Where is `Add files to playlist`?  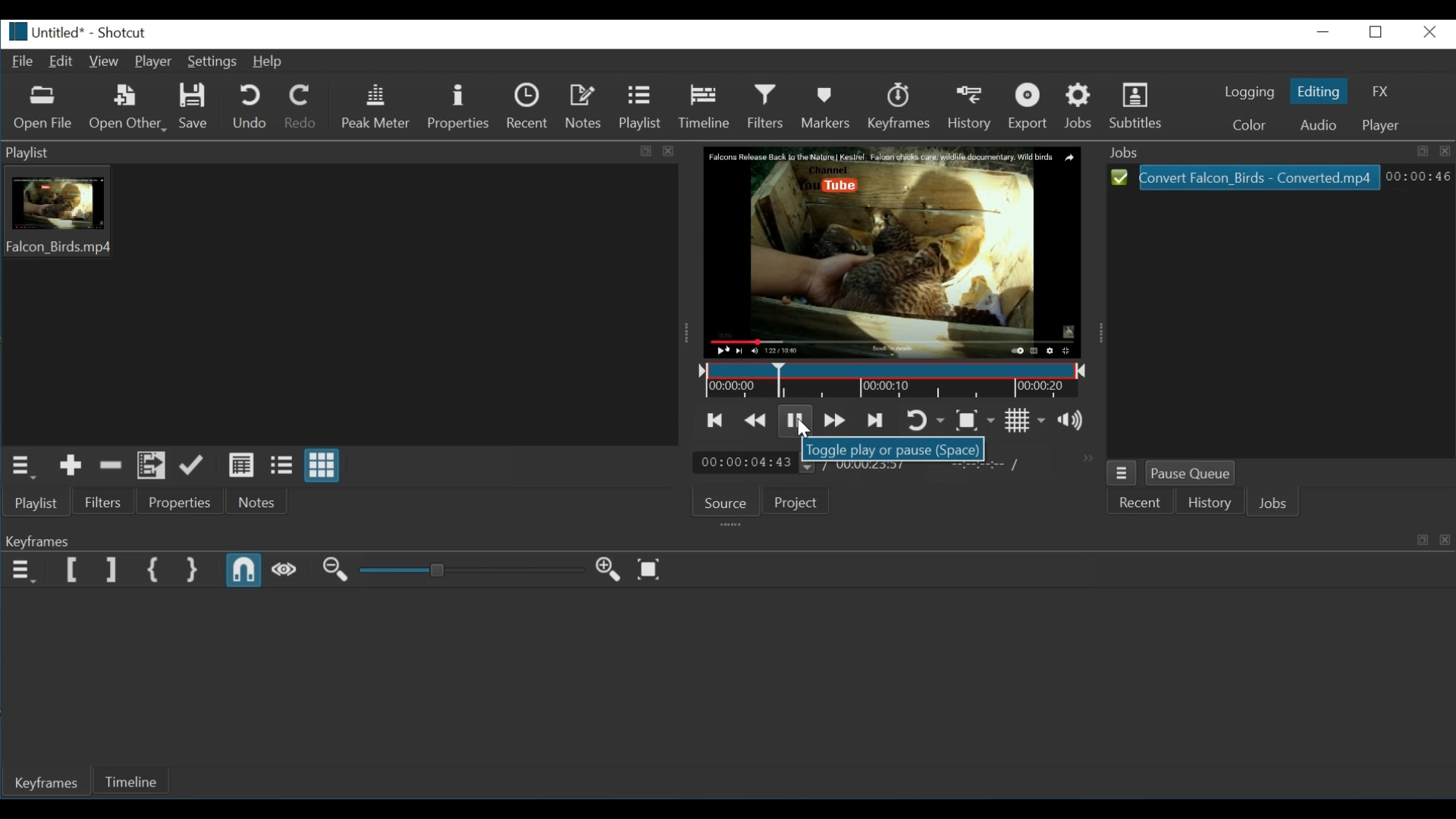
Add files to playlist is located at coordinates (152, 466).